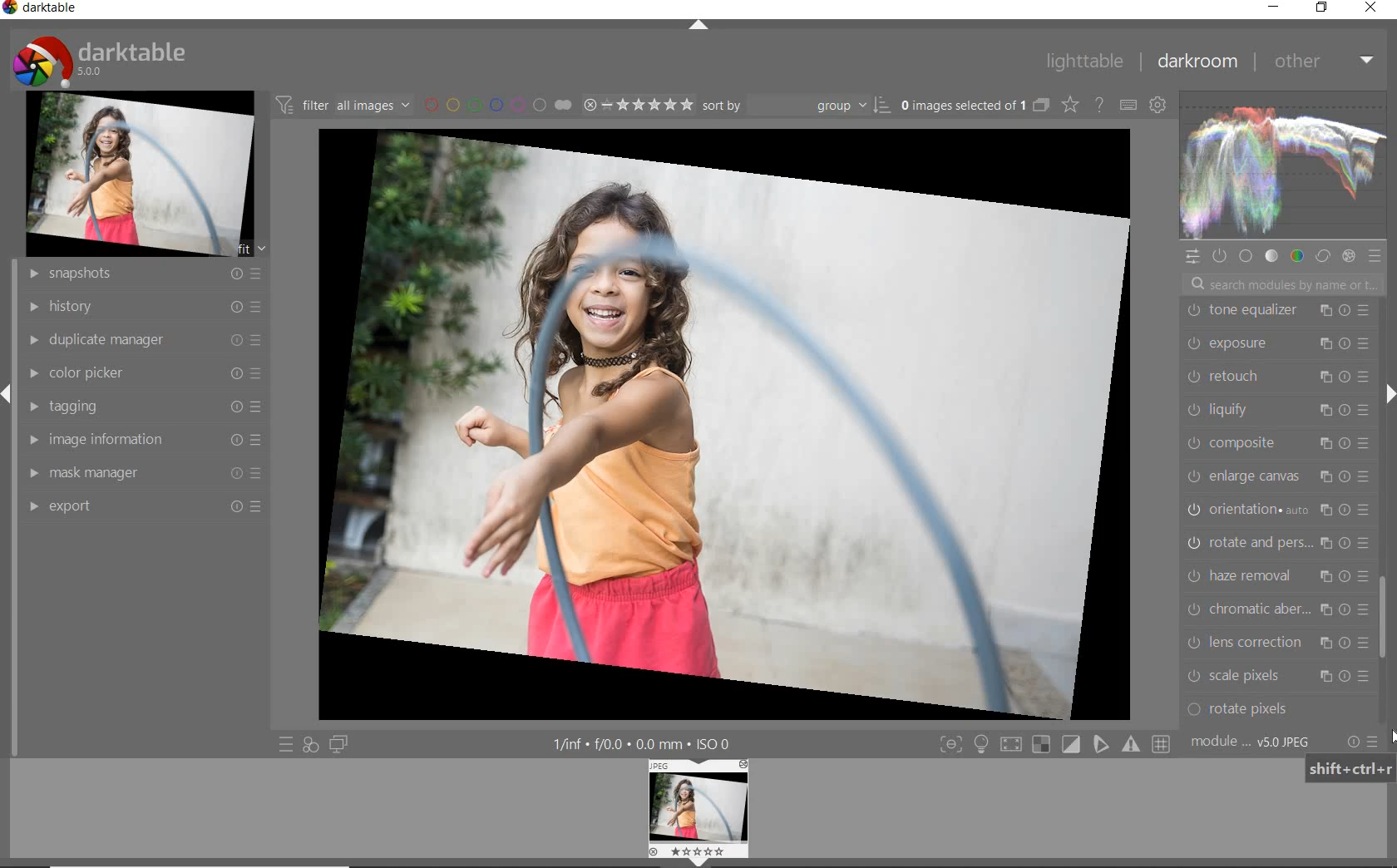 The height and width of the screenshot is (868, 1397). I want to click on toggle mode, so click(1054, 744).